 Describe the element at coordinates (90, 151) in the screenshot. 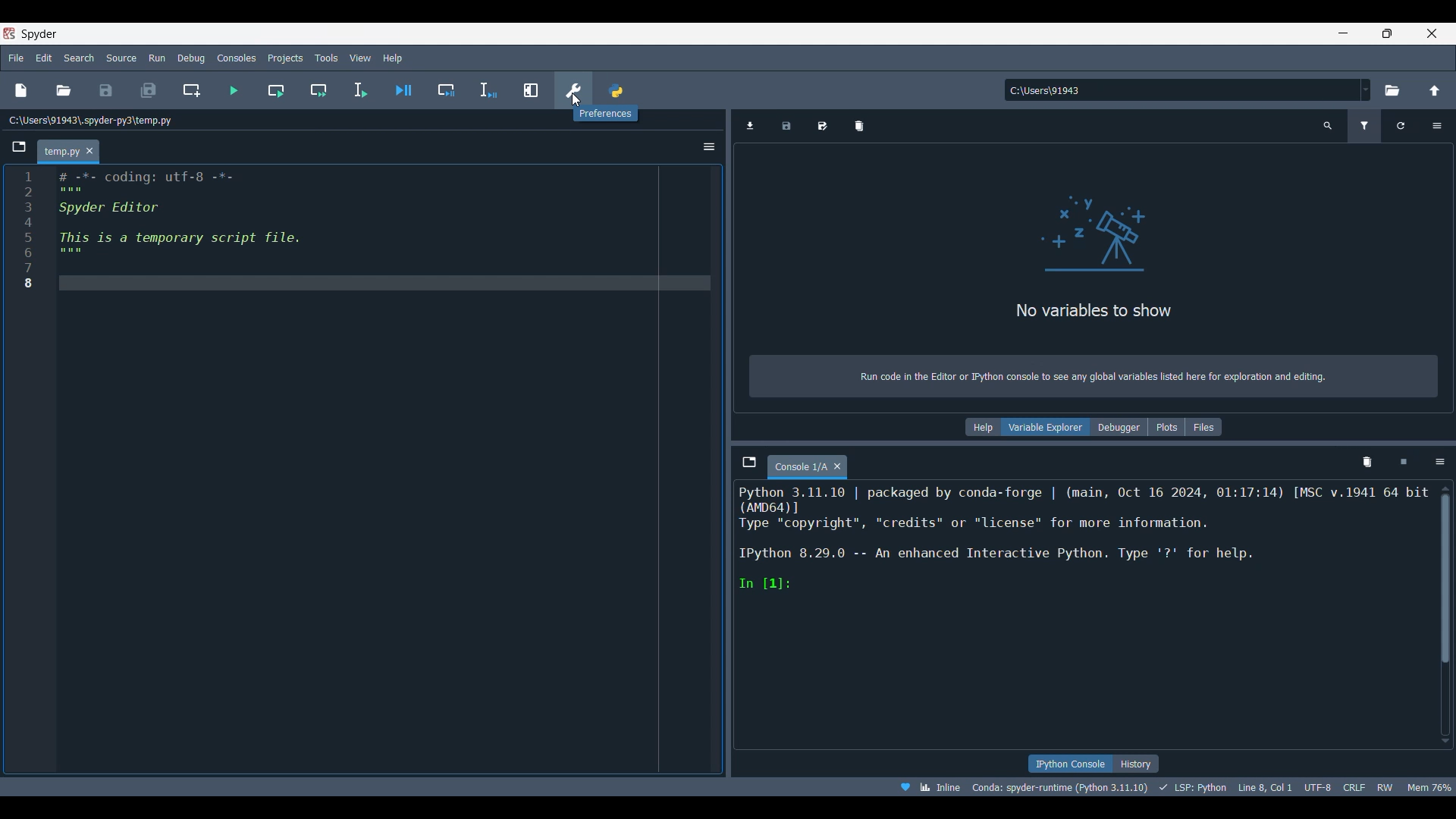

I see `Close` at that location.